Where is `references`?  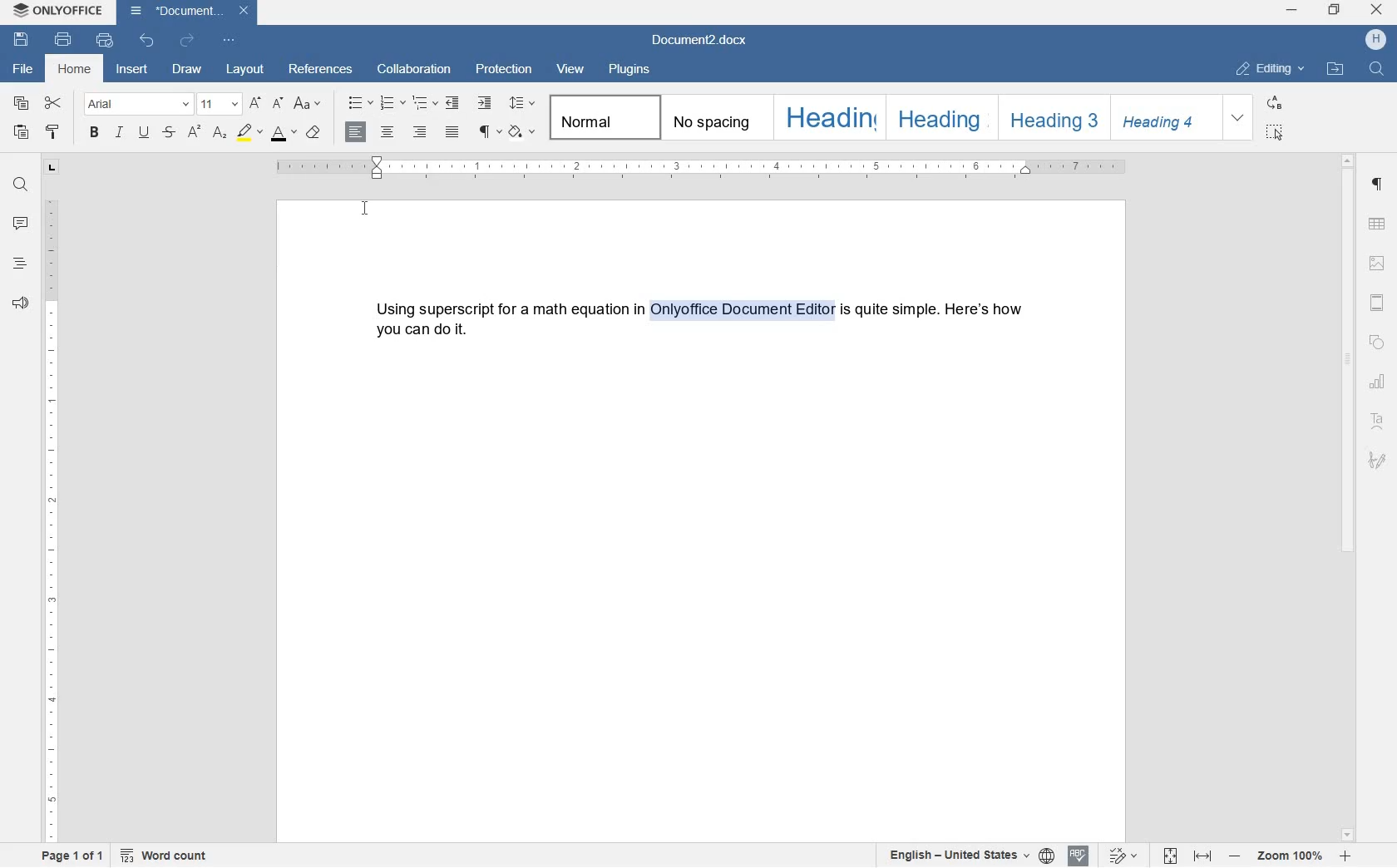
references is located at coordinates (321, 71).